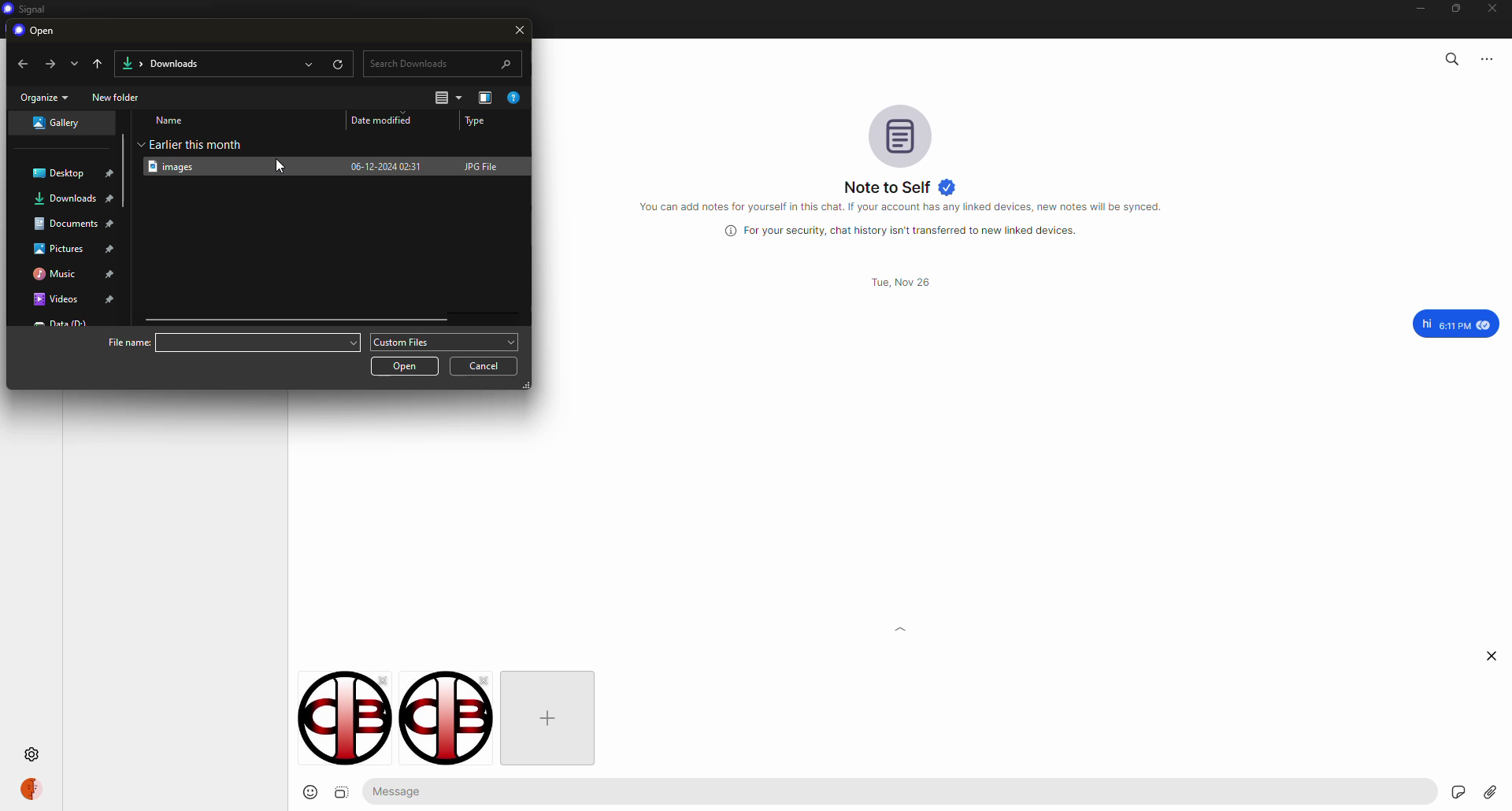 Image resolution: width=1512 pixels, height=811 pixels. I want to click on date, so click(899, 282).